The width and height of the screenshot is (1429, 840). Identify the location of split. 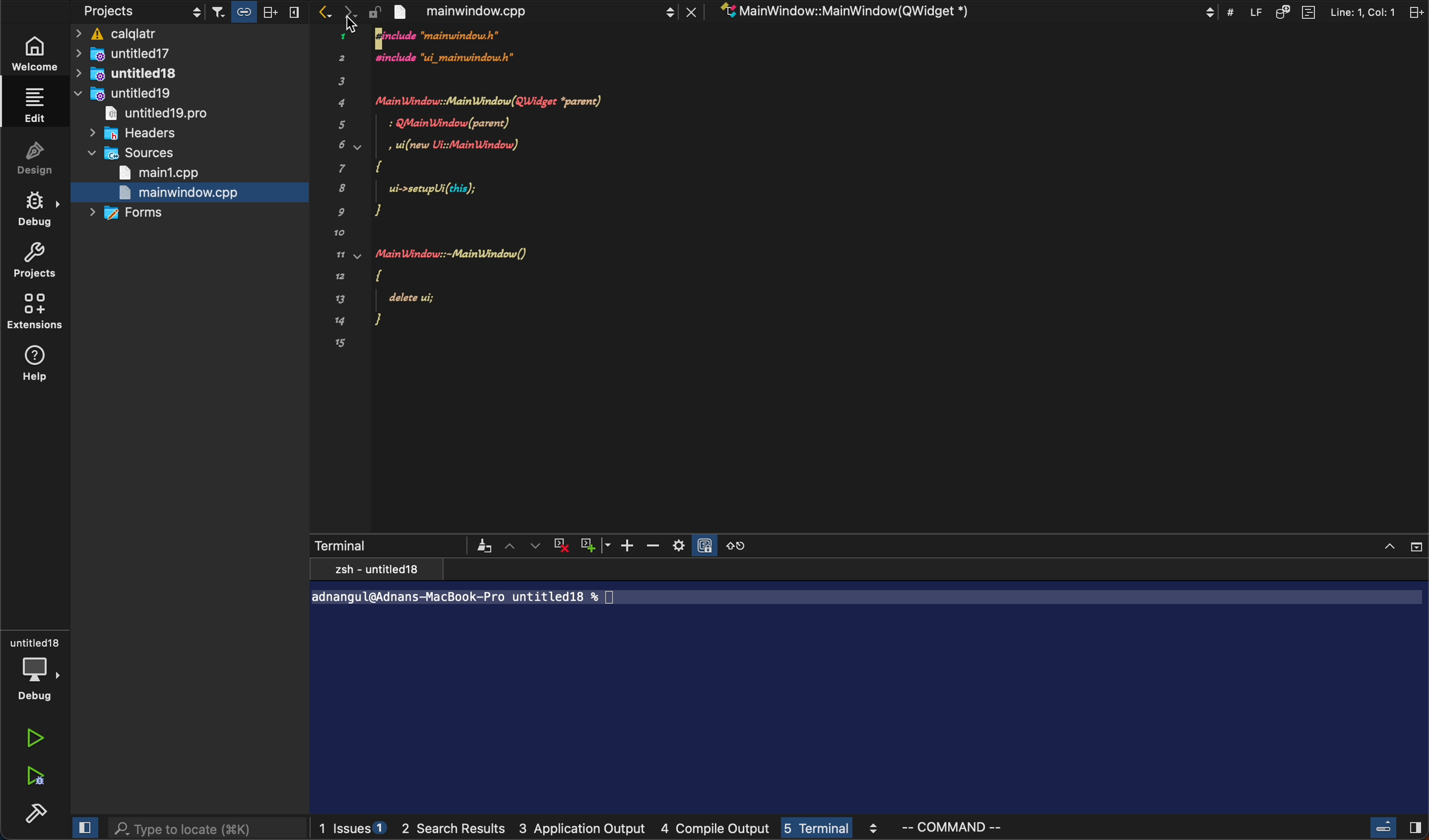
(1330, 10).